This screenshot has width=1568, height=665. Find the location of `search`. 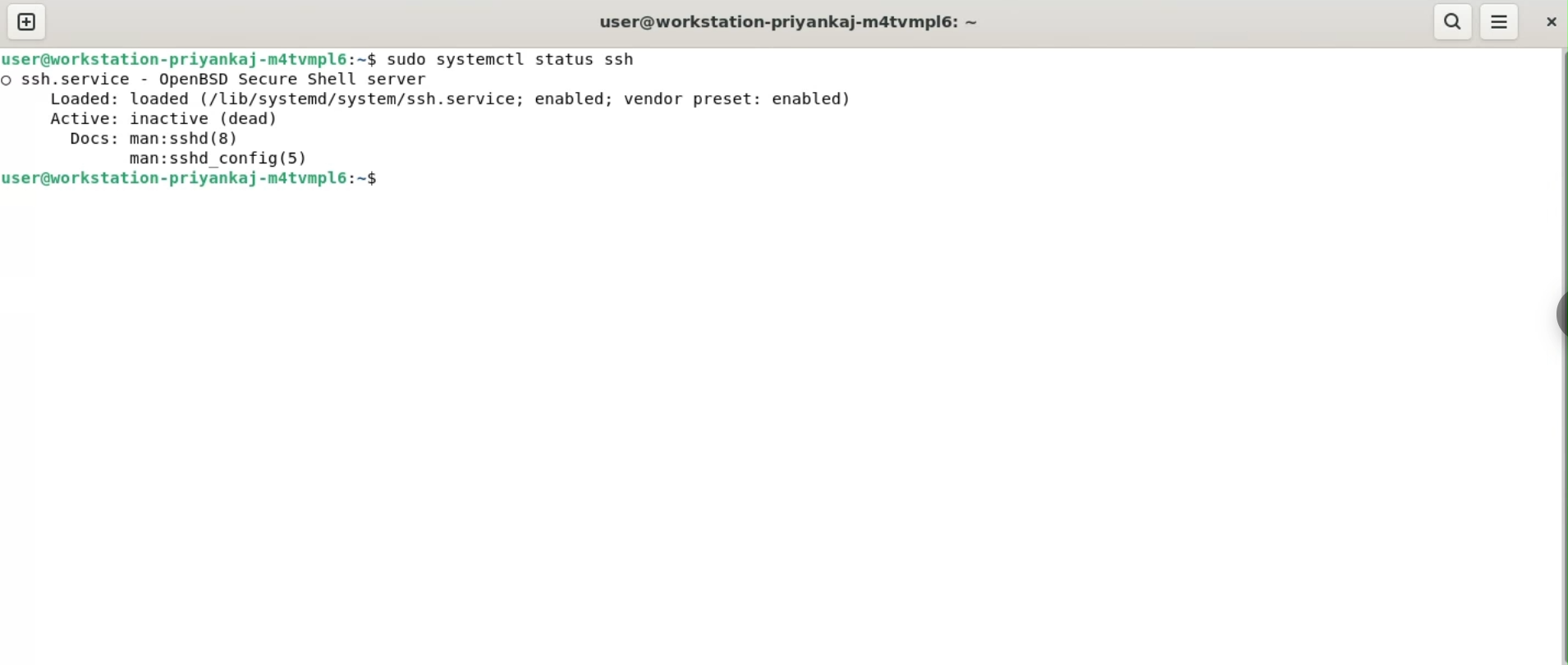

search is located at coordinates (1454, 22).